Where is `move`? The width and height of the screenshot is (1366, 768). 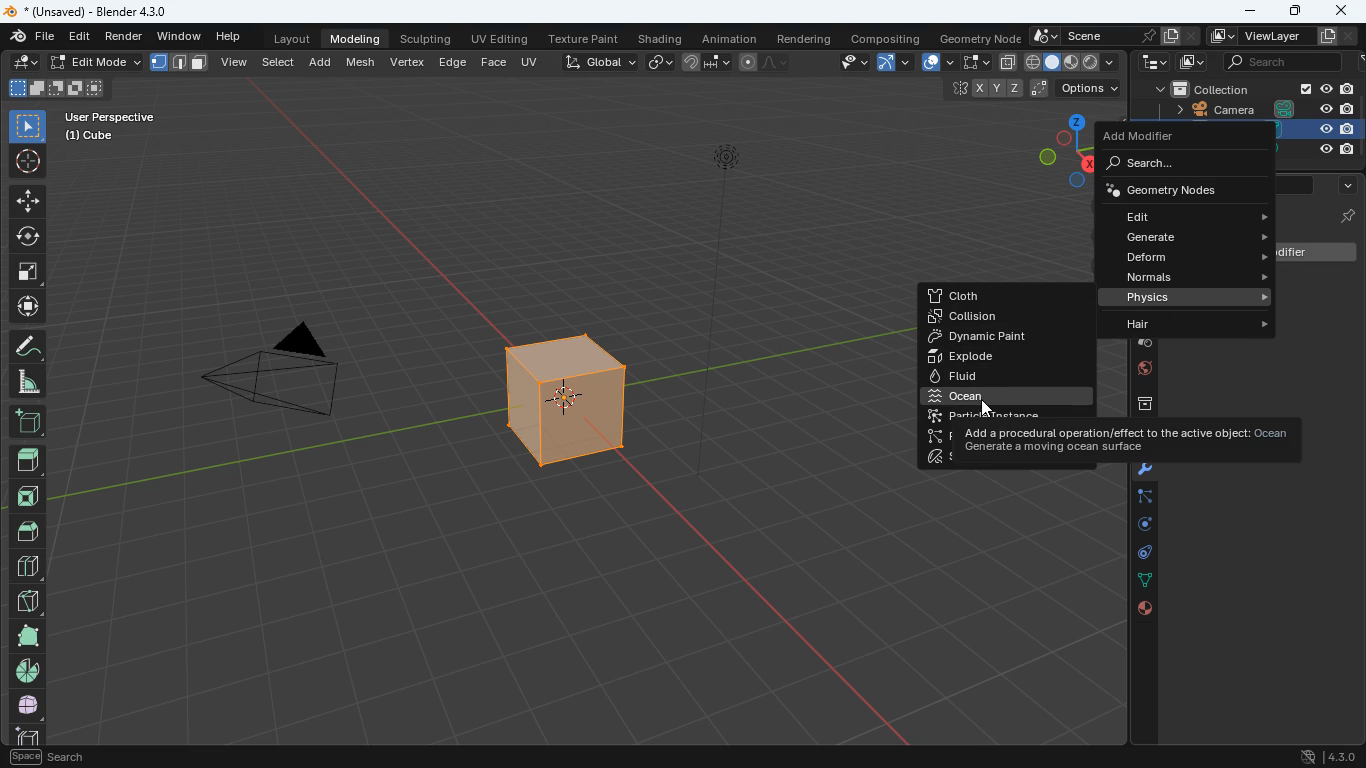 move is located at coordinates (27, 306).